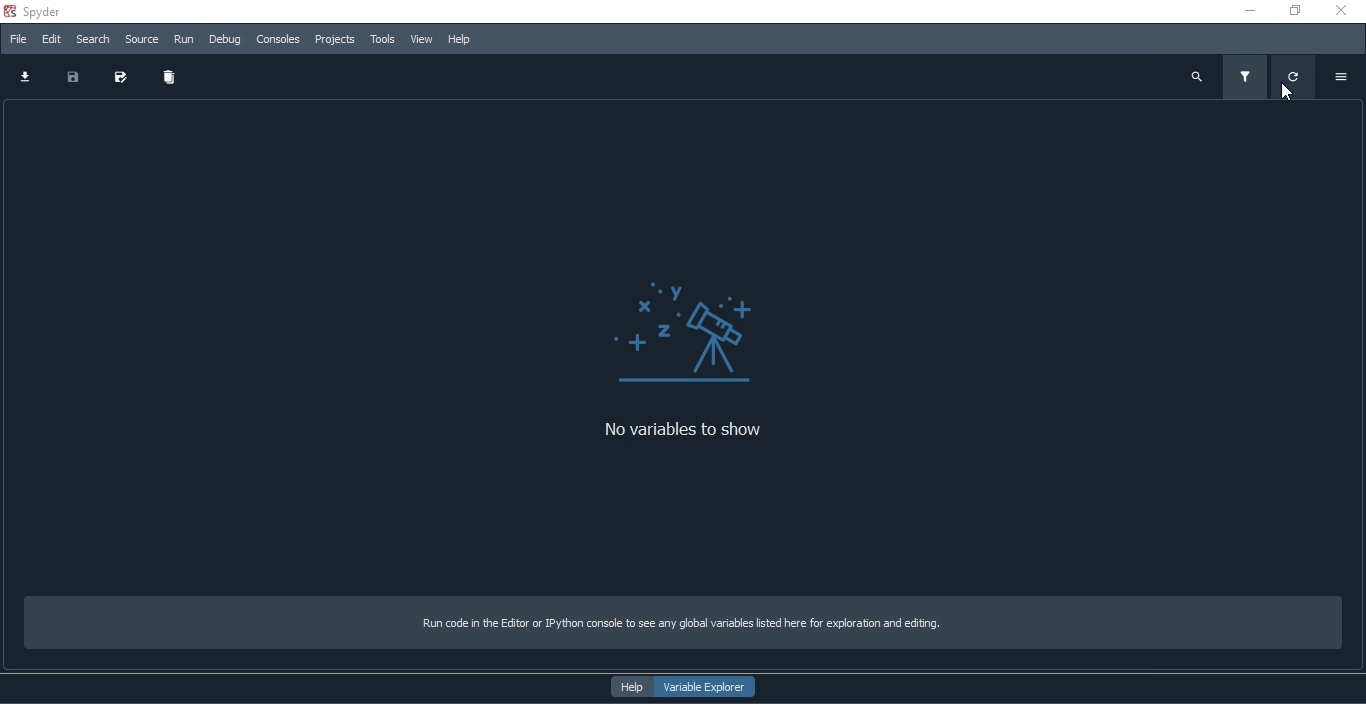  What do you see at coordinates (697, 428) in the screenshot?
I see `No variables to show` at bounding box center [697, 428].